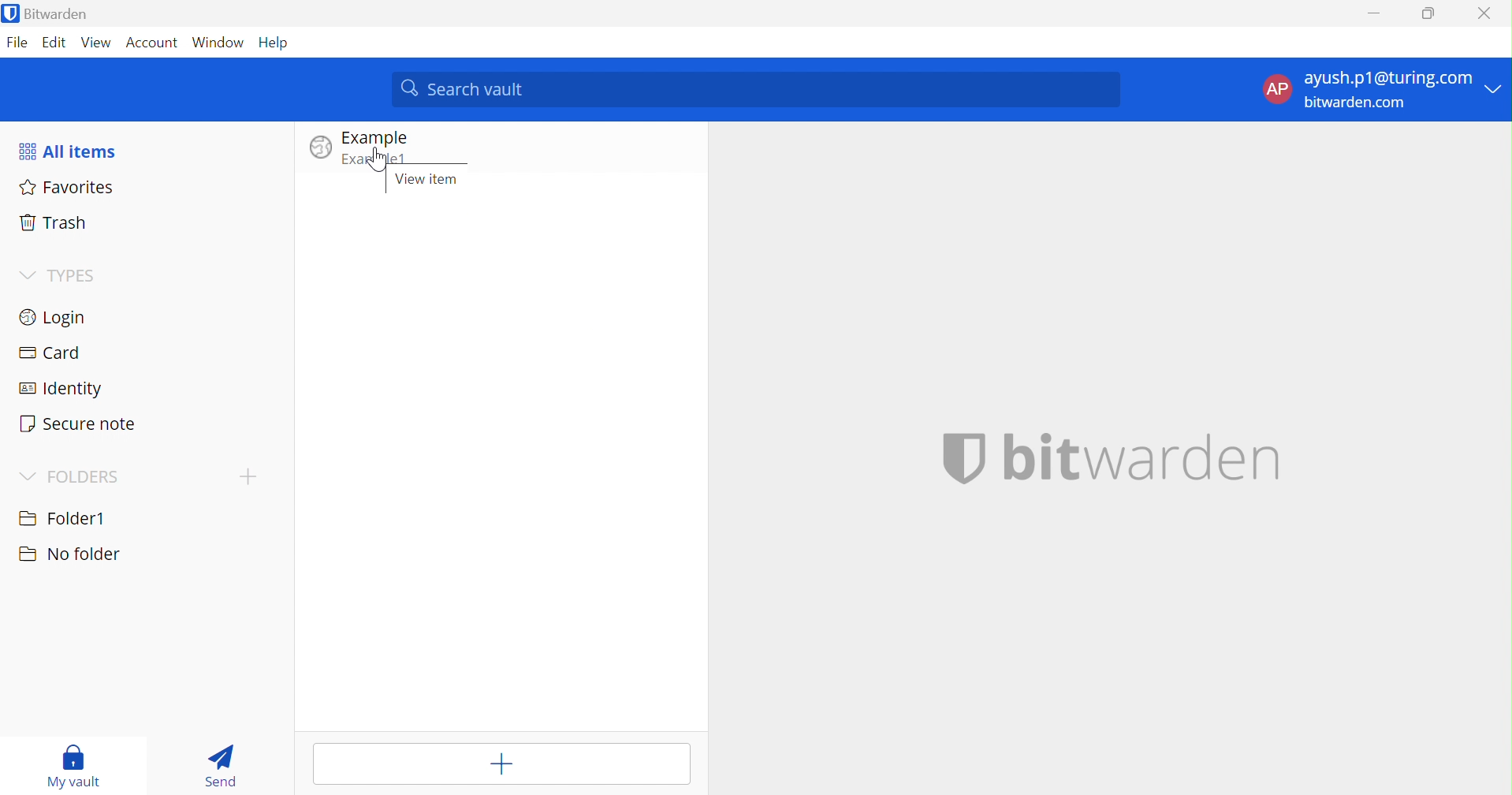 The height and width of the screenshot is (795, 1512). What do you see at coordinates (55, 224) in the screenshot?
I see `Trash` at bounding box center [55, 224].